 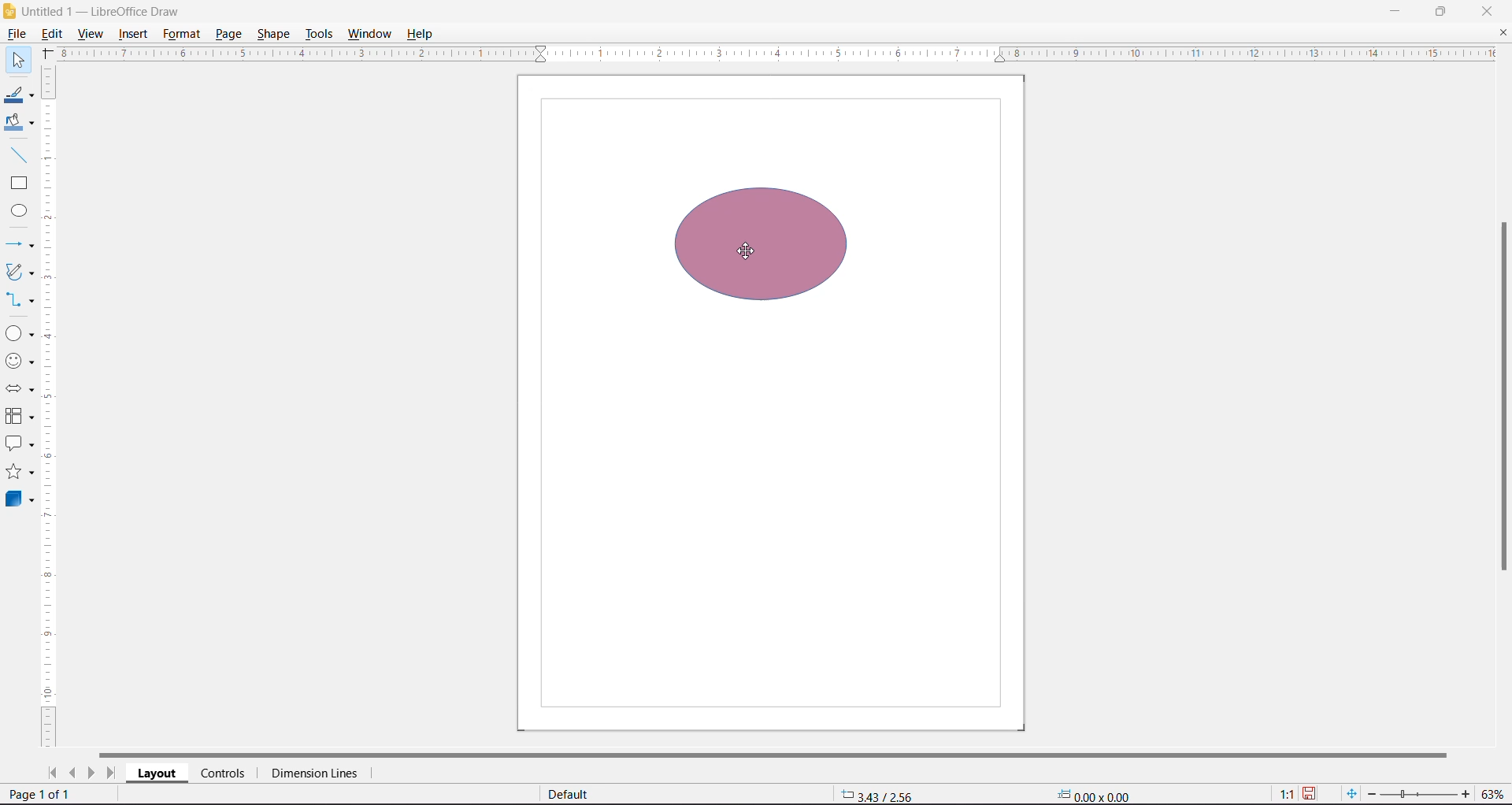 I want to click on Current Page, so click(x=772, y=402).